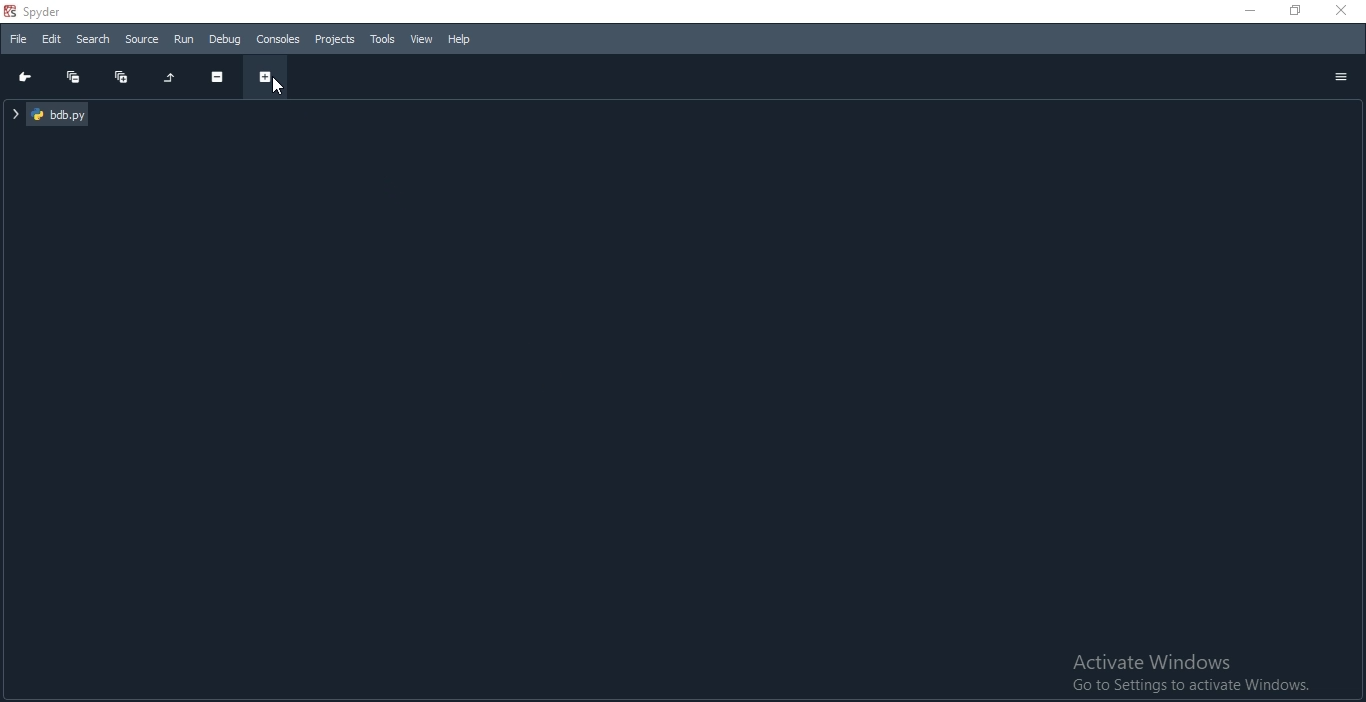 The height and width of the screenshot is (702, 1366). Describe the element at coordinates (67, 77) in the screenshot. I see `Collapse all` at that location.